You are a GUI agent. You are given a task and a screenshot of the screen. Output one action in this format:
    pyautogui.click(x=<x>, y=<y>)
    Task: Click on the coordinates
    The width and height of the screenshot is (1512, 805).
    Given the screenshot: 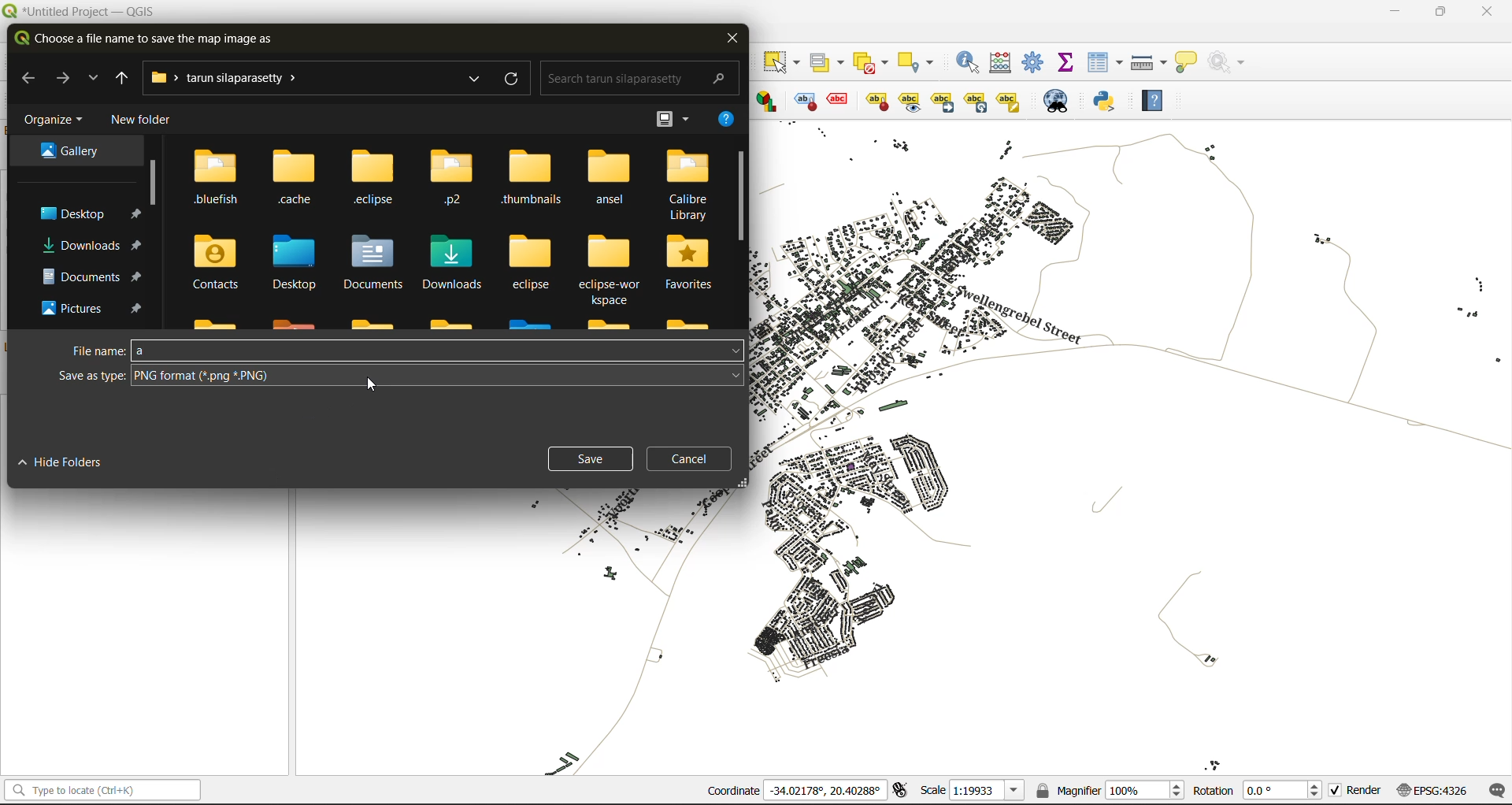 What is the action you would take?
    pyautogui.click(x=795, y=792)
    